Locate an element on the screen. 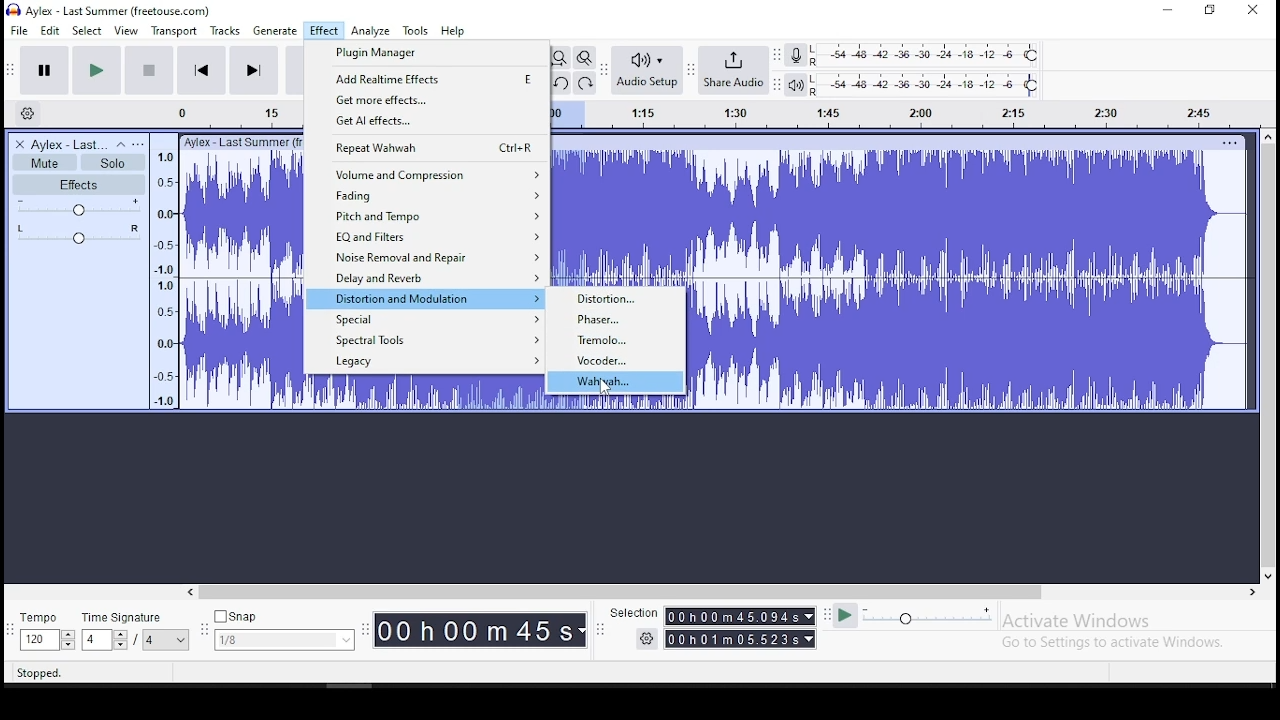  audio is located at coordinates (70, 145).